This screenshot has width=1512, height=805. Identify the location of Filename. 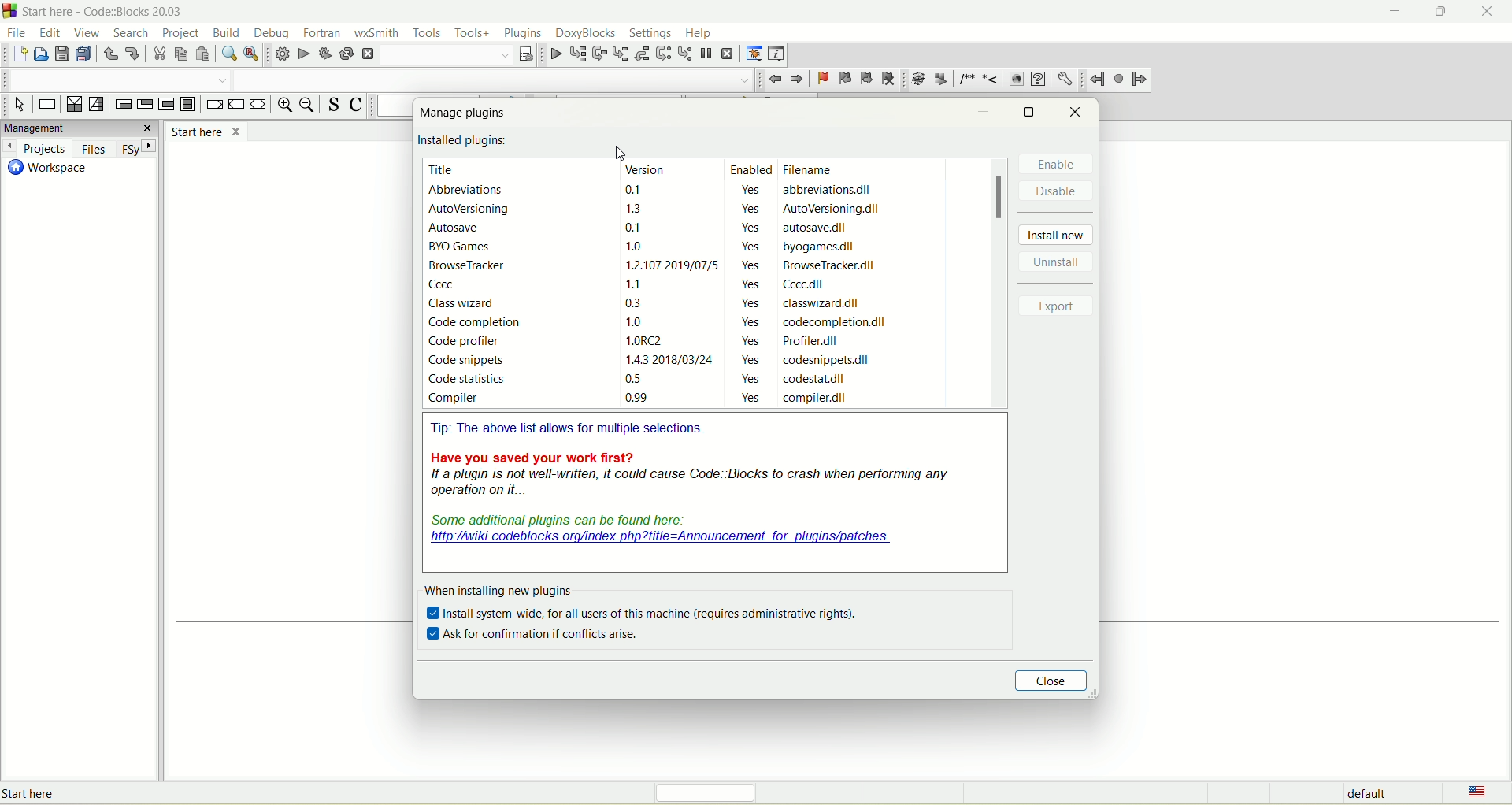
(814, 170).